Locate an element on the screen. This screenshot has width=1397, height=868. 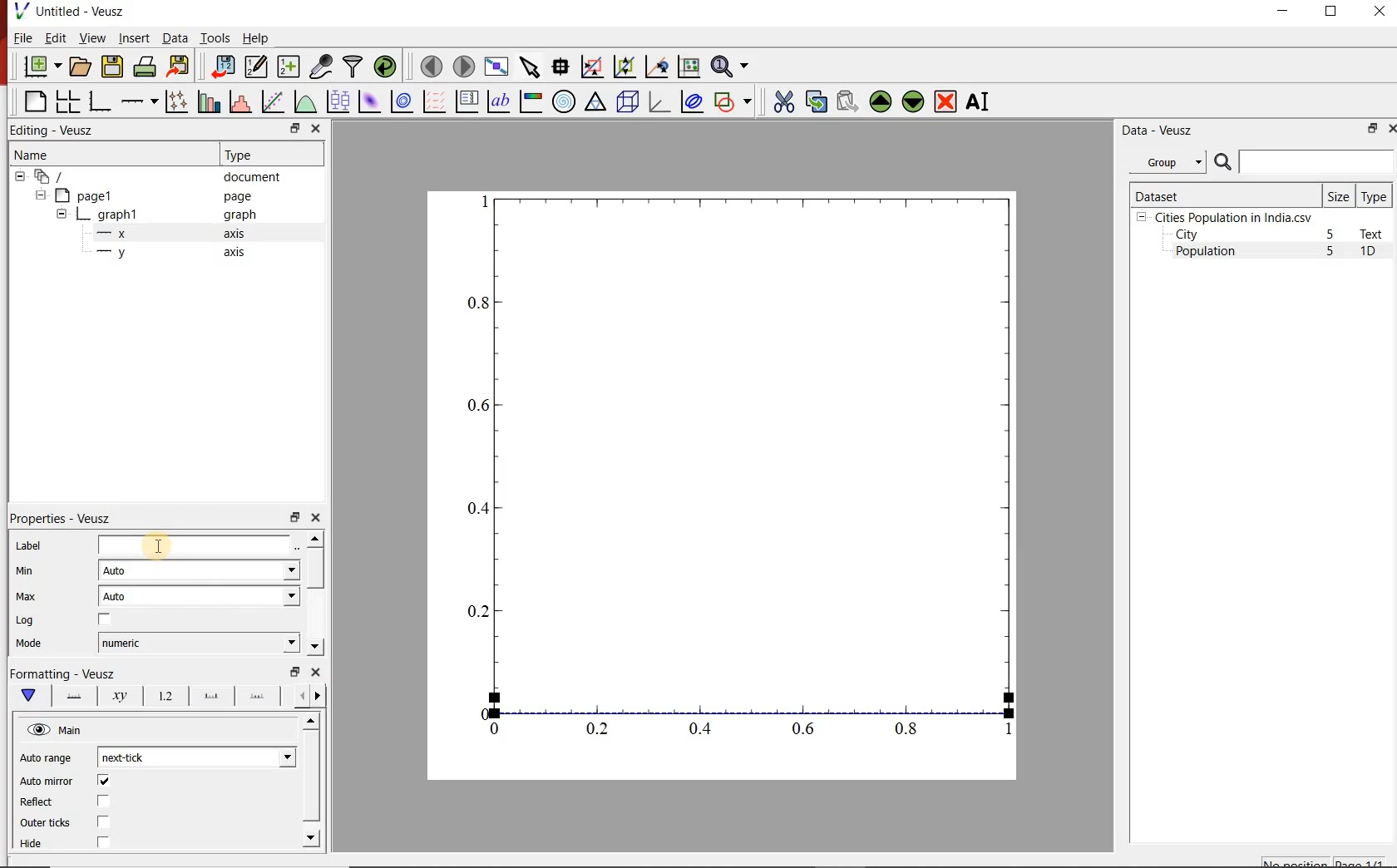
Properties - Veusz is located at coordinates (60, 519).